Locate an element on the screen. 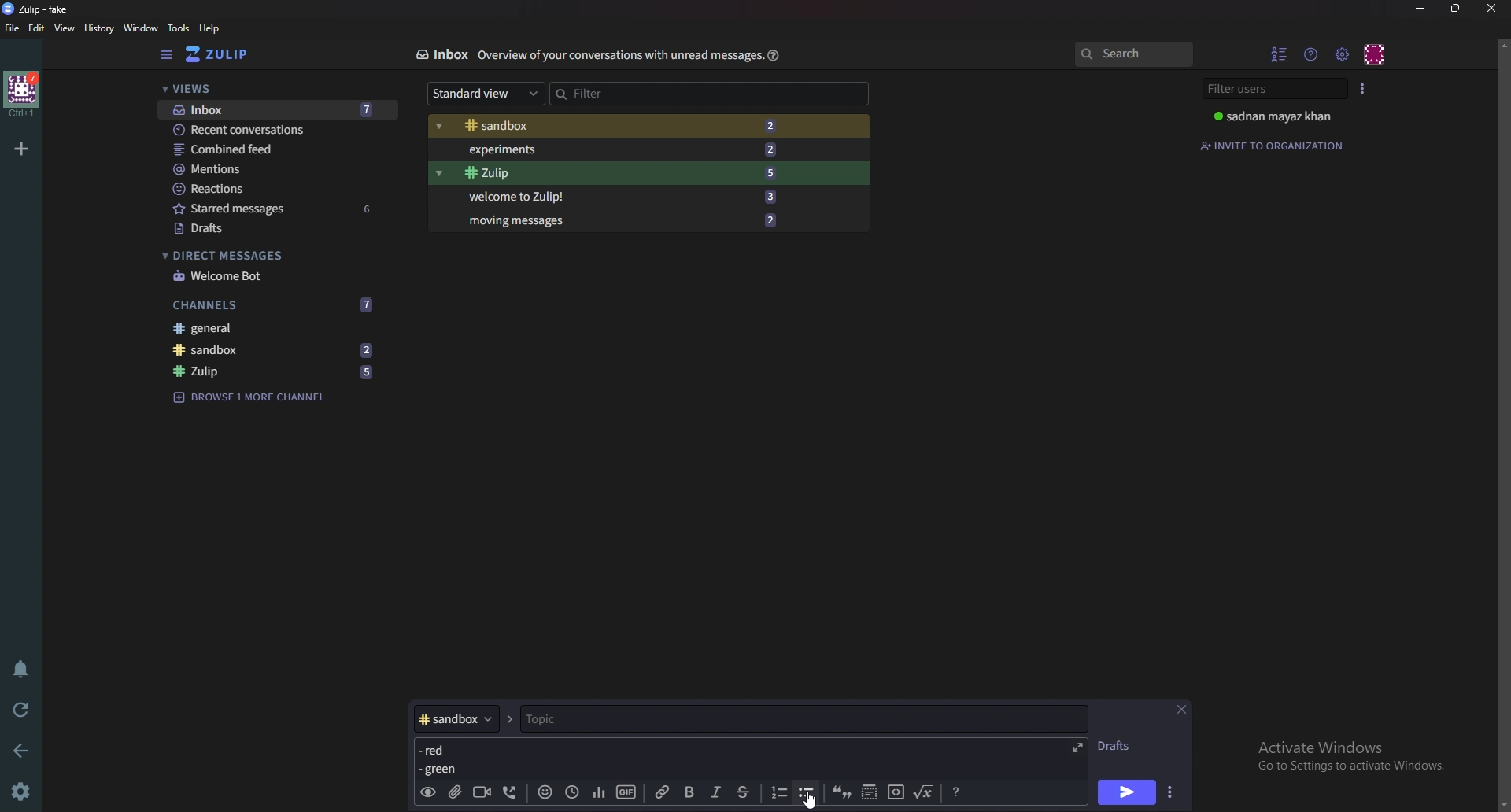 This screenshot has width=1511, height=812. General is located at coordinates (268, 327).